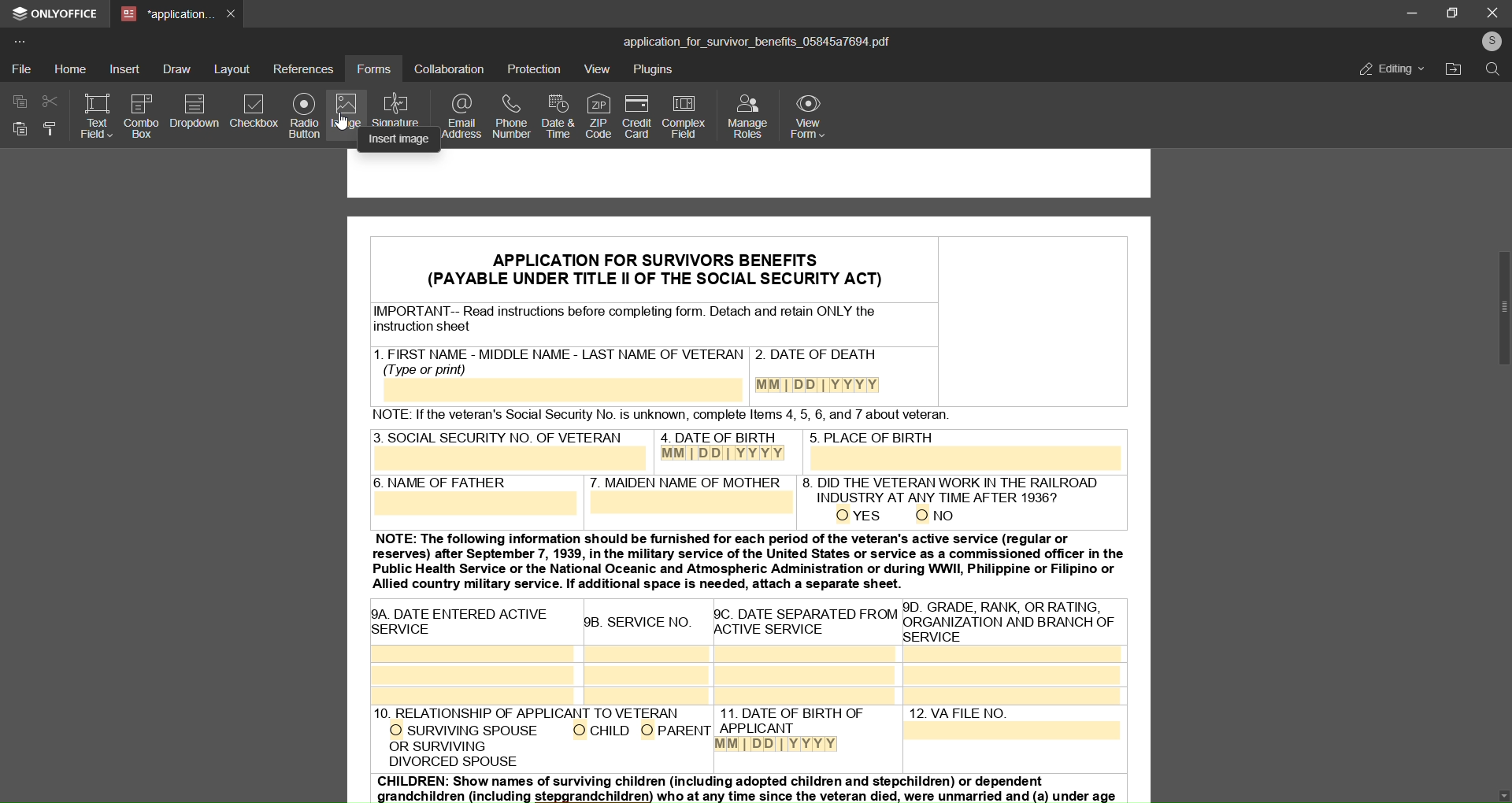 The width and height of the screenshot is (1512, 803). I want to click on copy, so click(17, 101).